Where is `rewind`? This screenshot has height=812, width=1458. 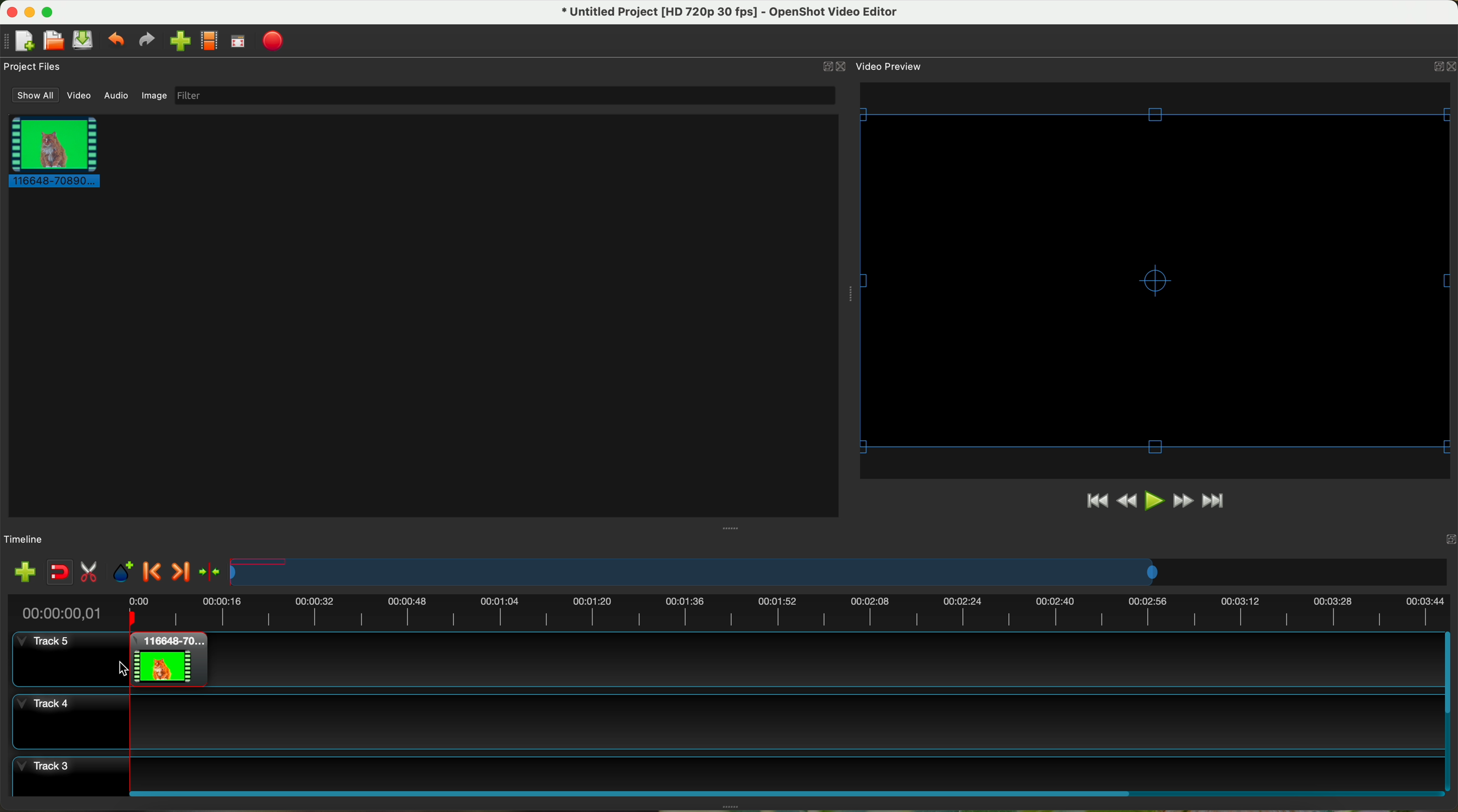
rewind is located at coordinates (1128, 501).